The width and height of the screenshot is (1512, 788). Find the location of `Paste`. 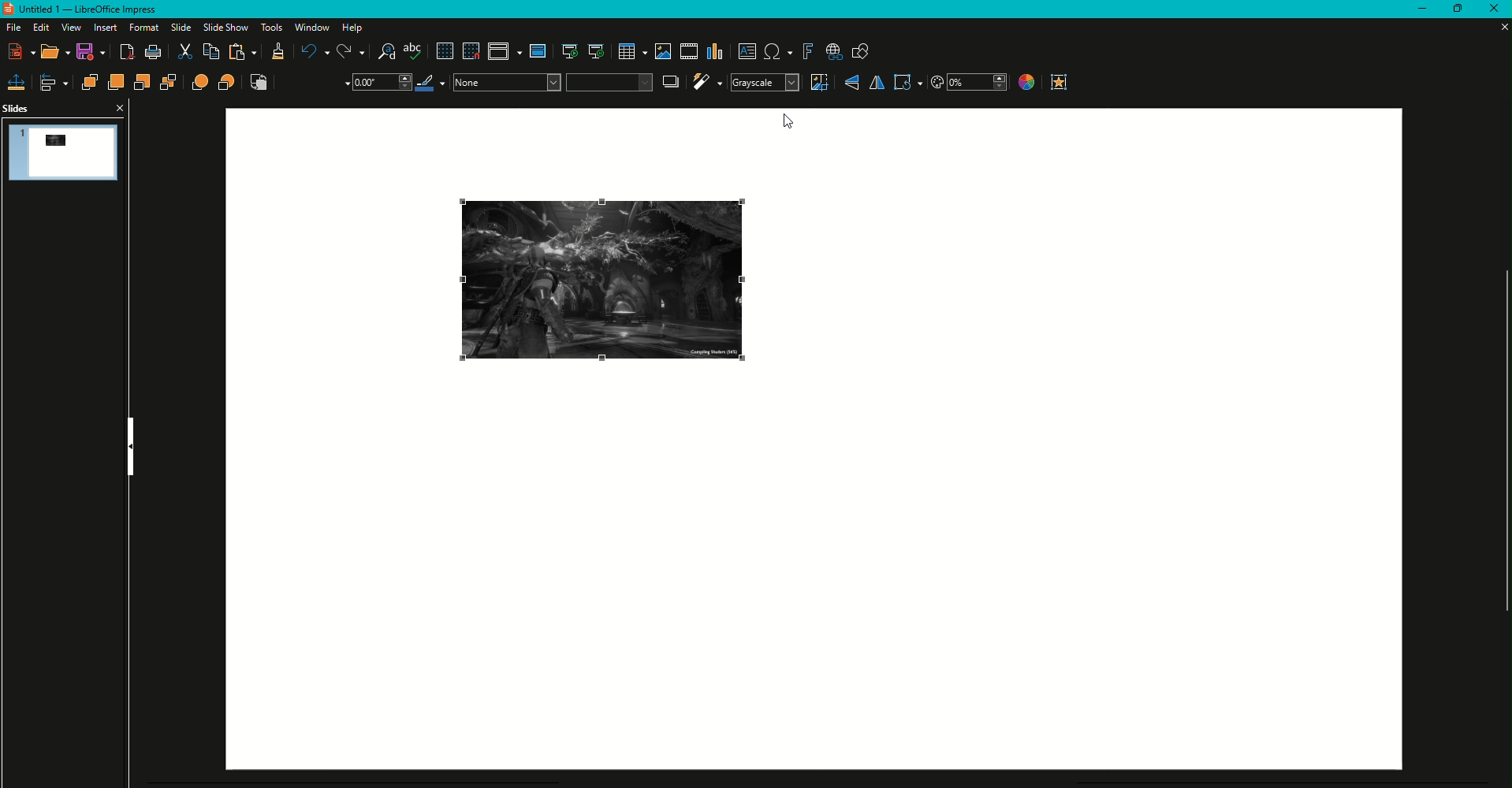

Paste is located at coordinates (244, 53).